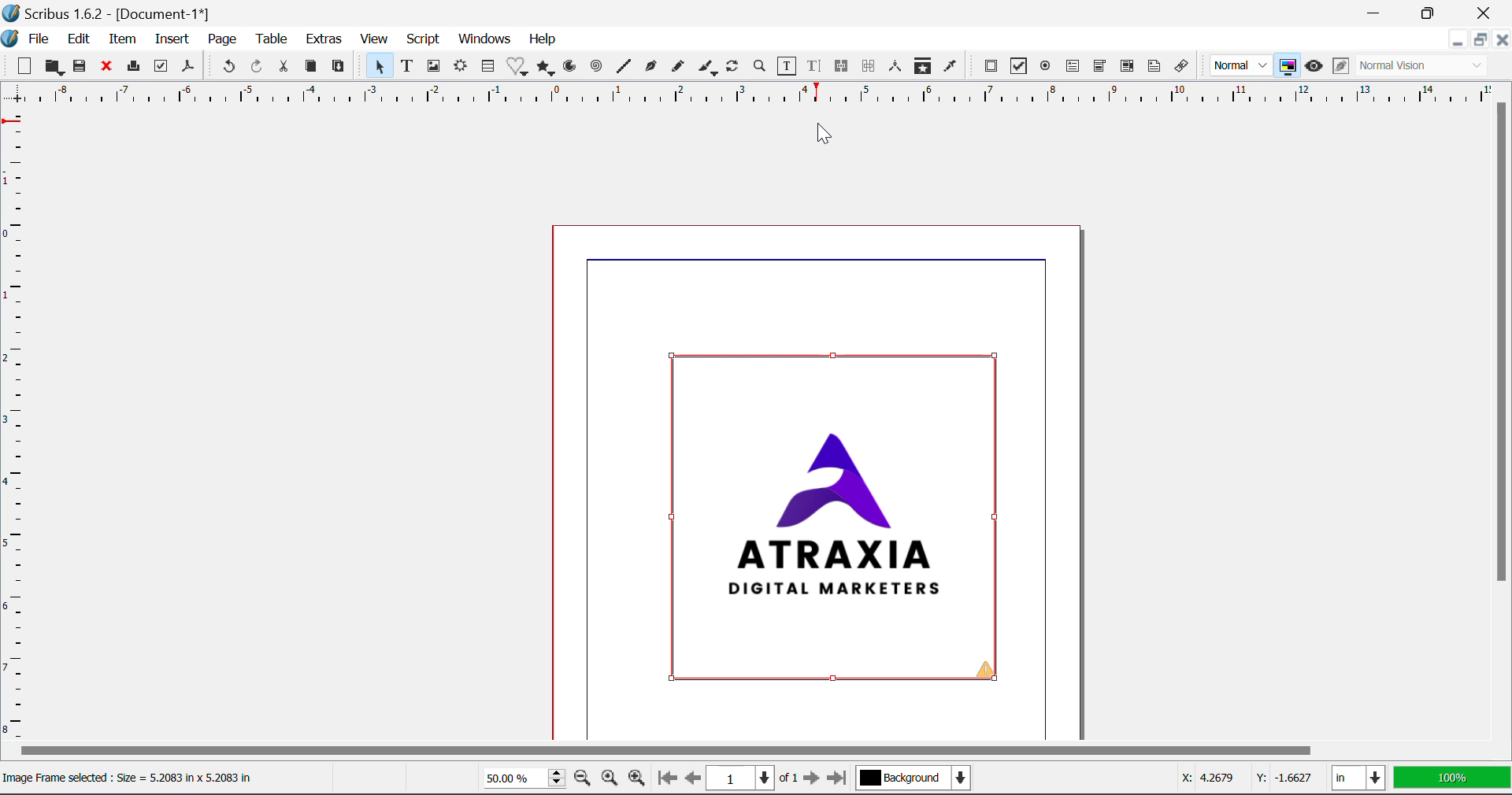 This screenshot has width=1512, height=795. I want to click on Toggle Color Management, so click(1287, 65).